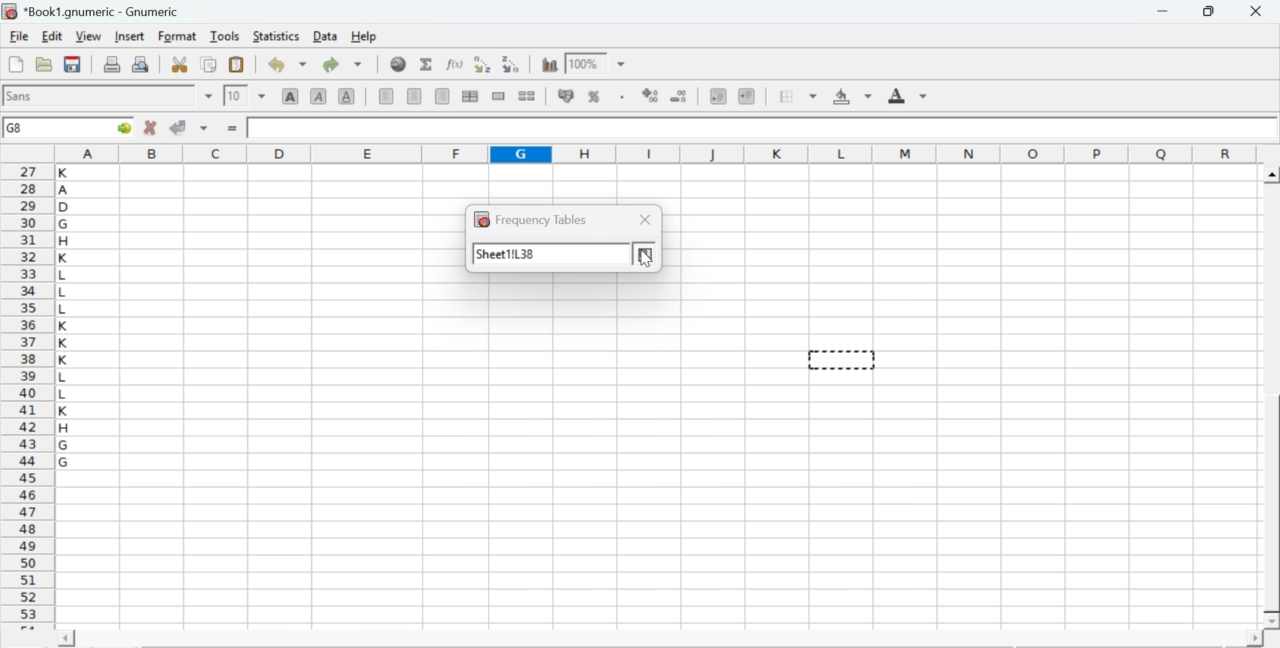  What do you see at coordinates (291, 95) in the screenshot?
I see `bold` at bounding box center [291, 95].